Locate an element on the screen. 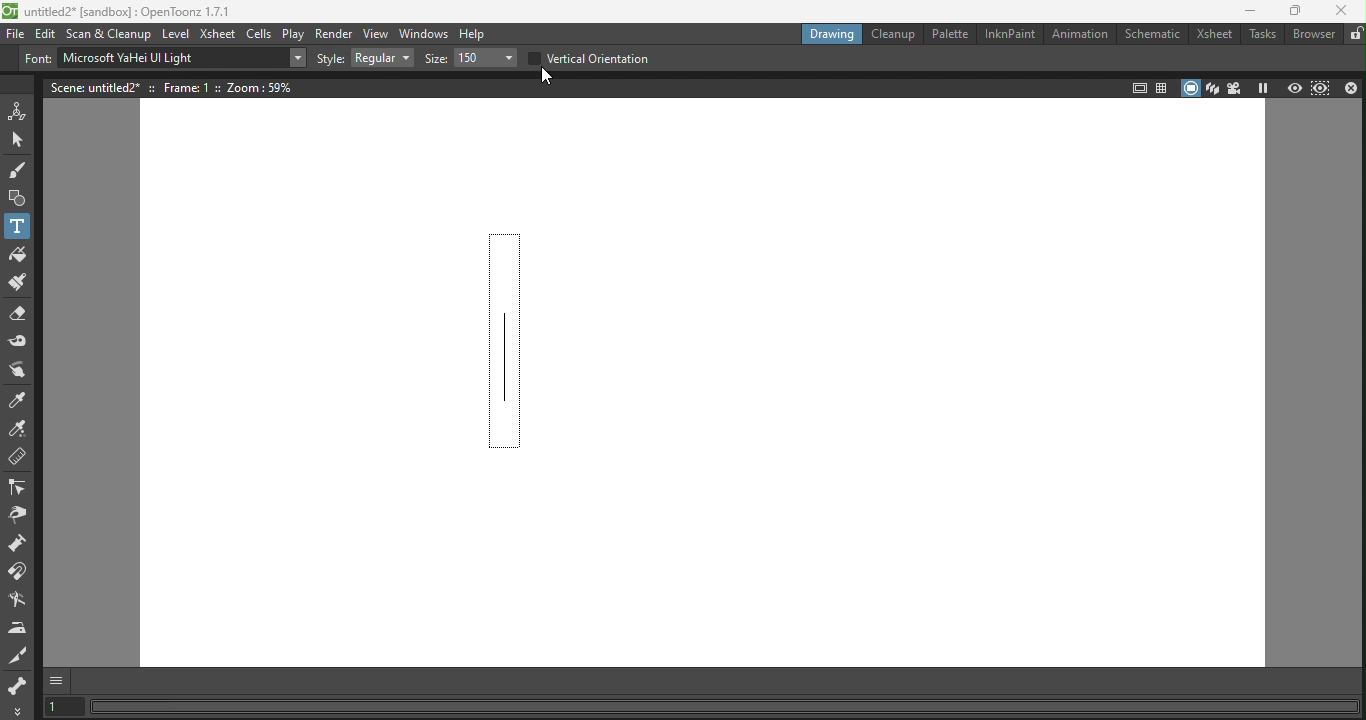  GUI Show/Hide is located at coordinates (58, 680).